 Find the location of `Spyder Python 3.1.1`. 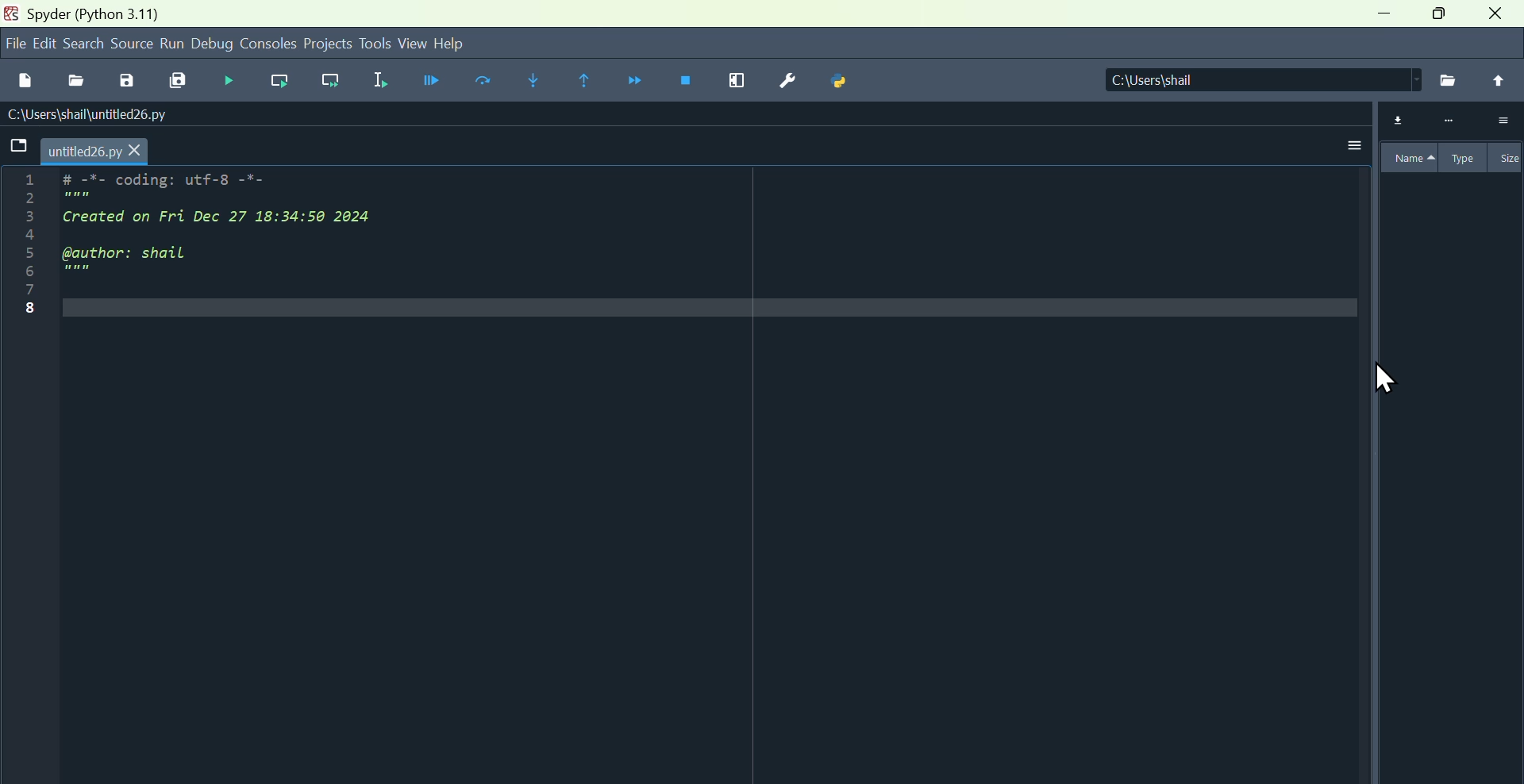

Spyder Python 3.1.1 is located at coordinates (92, 13).